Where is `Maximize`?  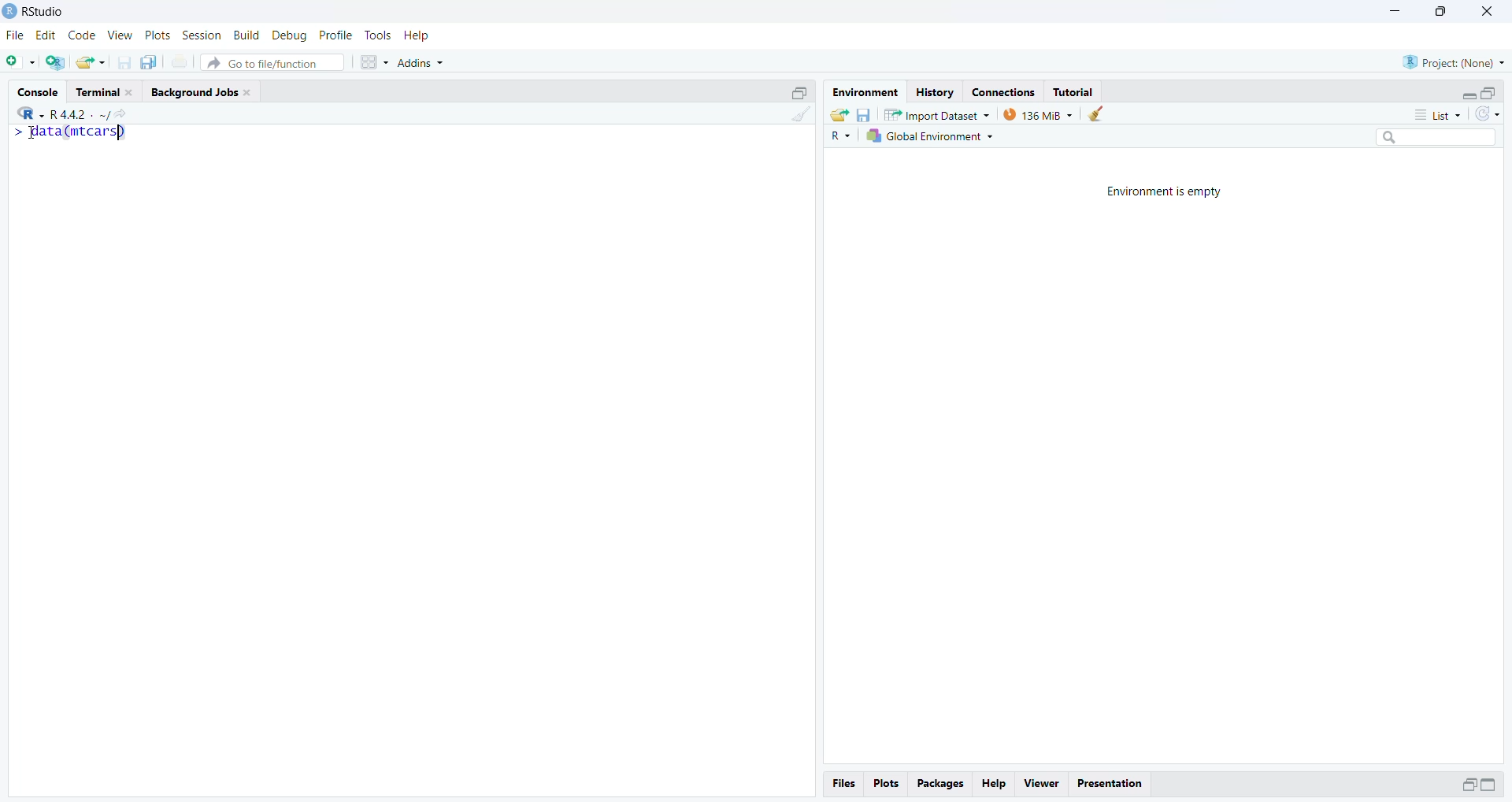
Maximize is located at coordinates (1493, 785).